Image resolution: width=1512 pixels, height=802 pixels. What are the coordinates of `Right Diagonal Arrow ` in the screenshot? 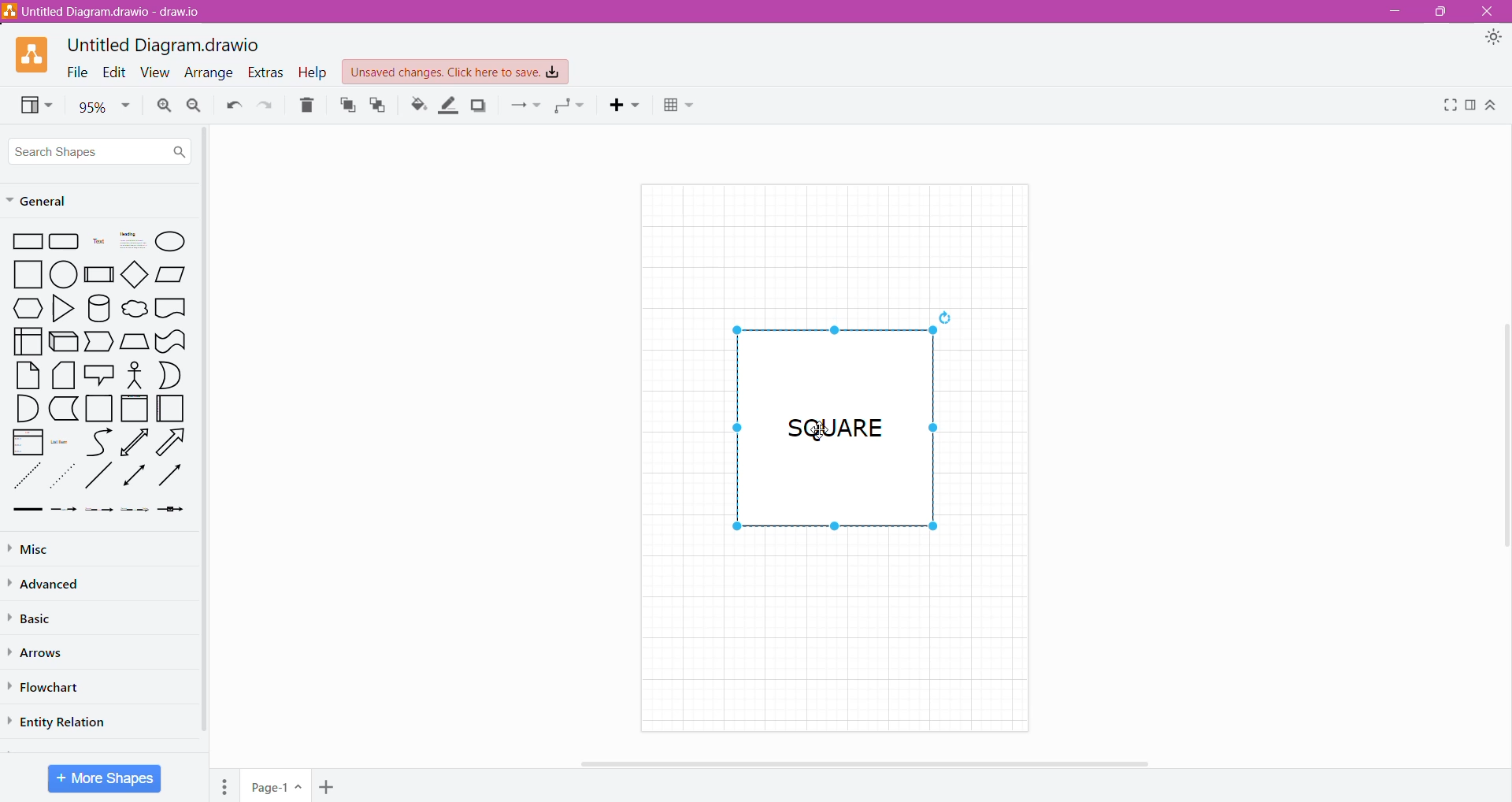 It's located at (172, 443).